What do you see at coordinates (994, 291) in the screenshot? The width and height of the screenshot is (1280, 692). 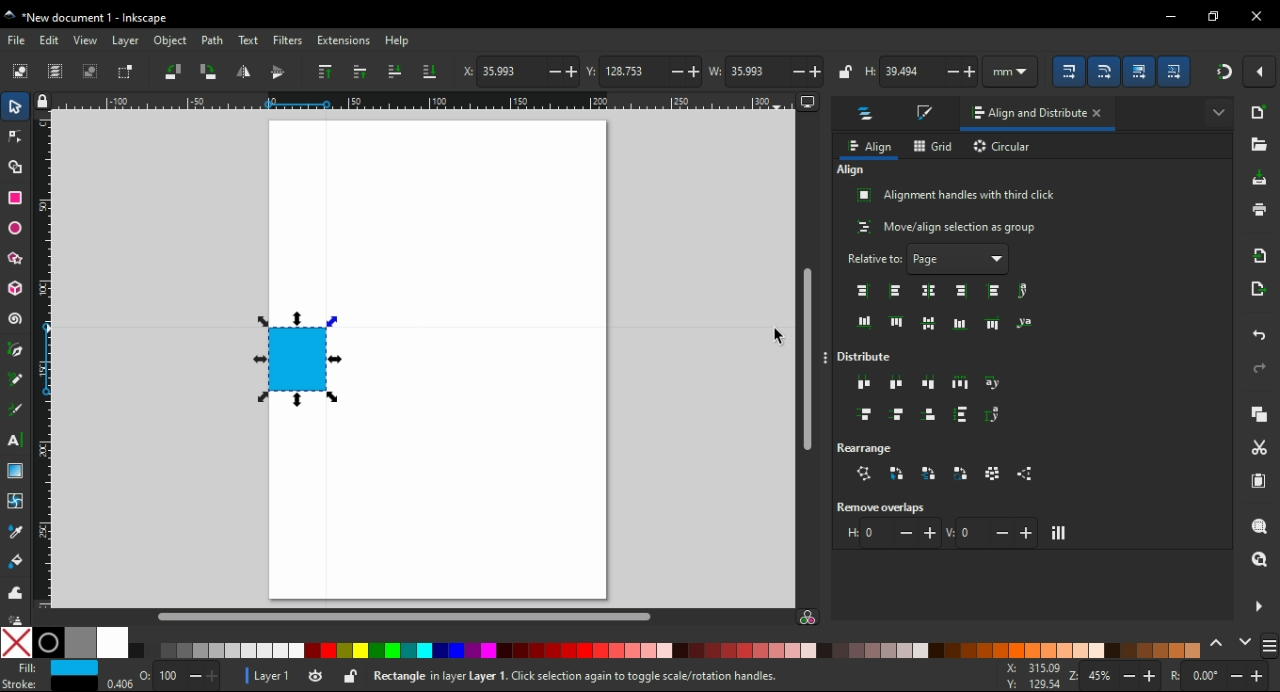 I see `align left edges of objects to right edge of  anchor` at bounding box center [994, 291].